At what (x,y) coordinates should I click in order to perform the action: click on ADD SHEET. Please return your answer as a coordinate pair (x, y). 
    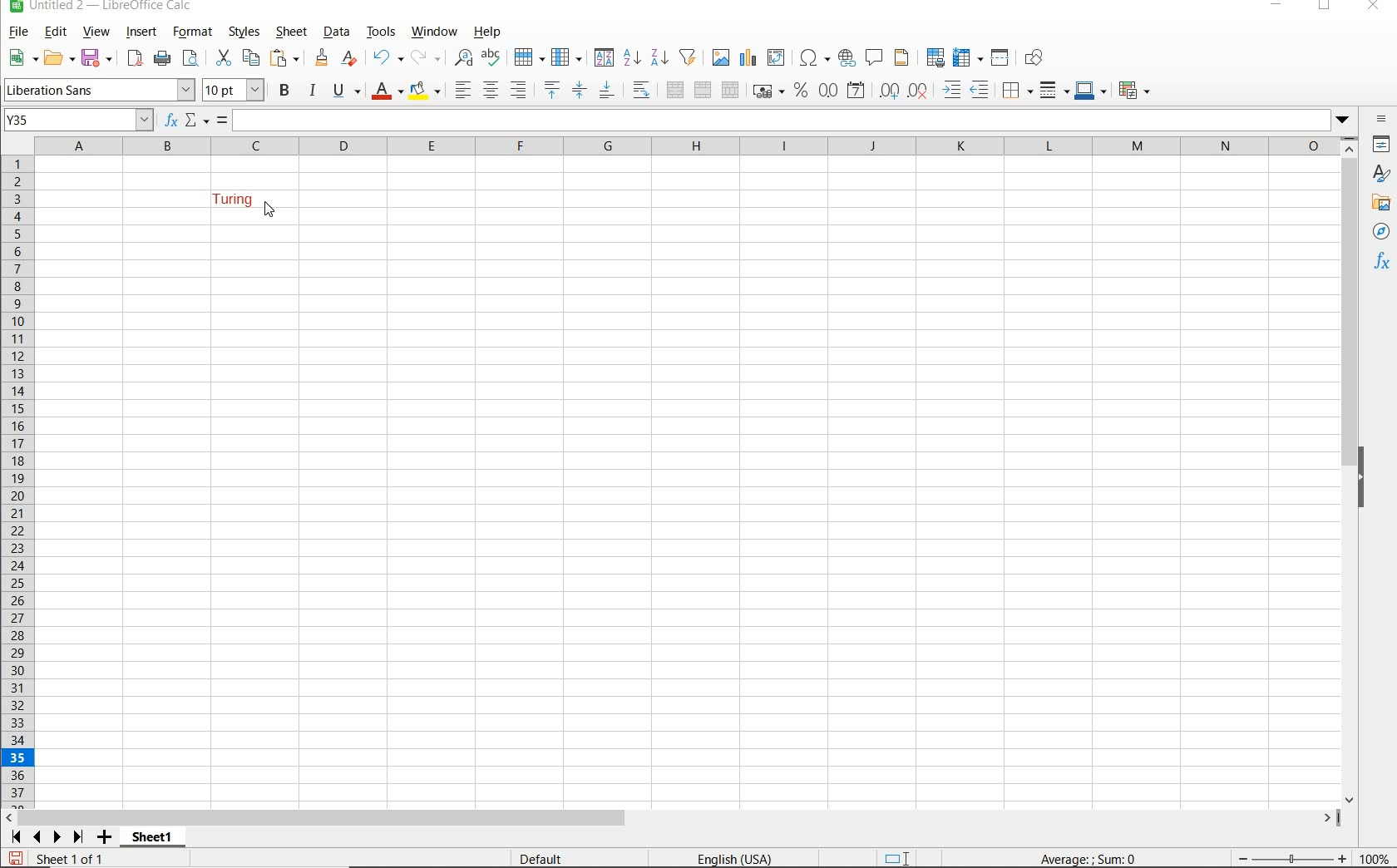
    Looking at the image, I should click on (106, 838).